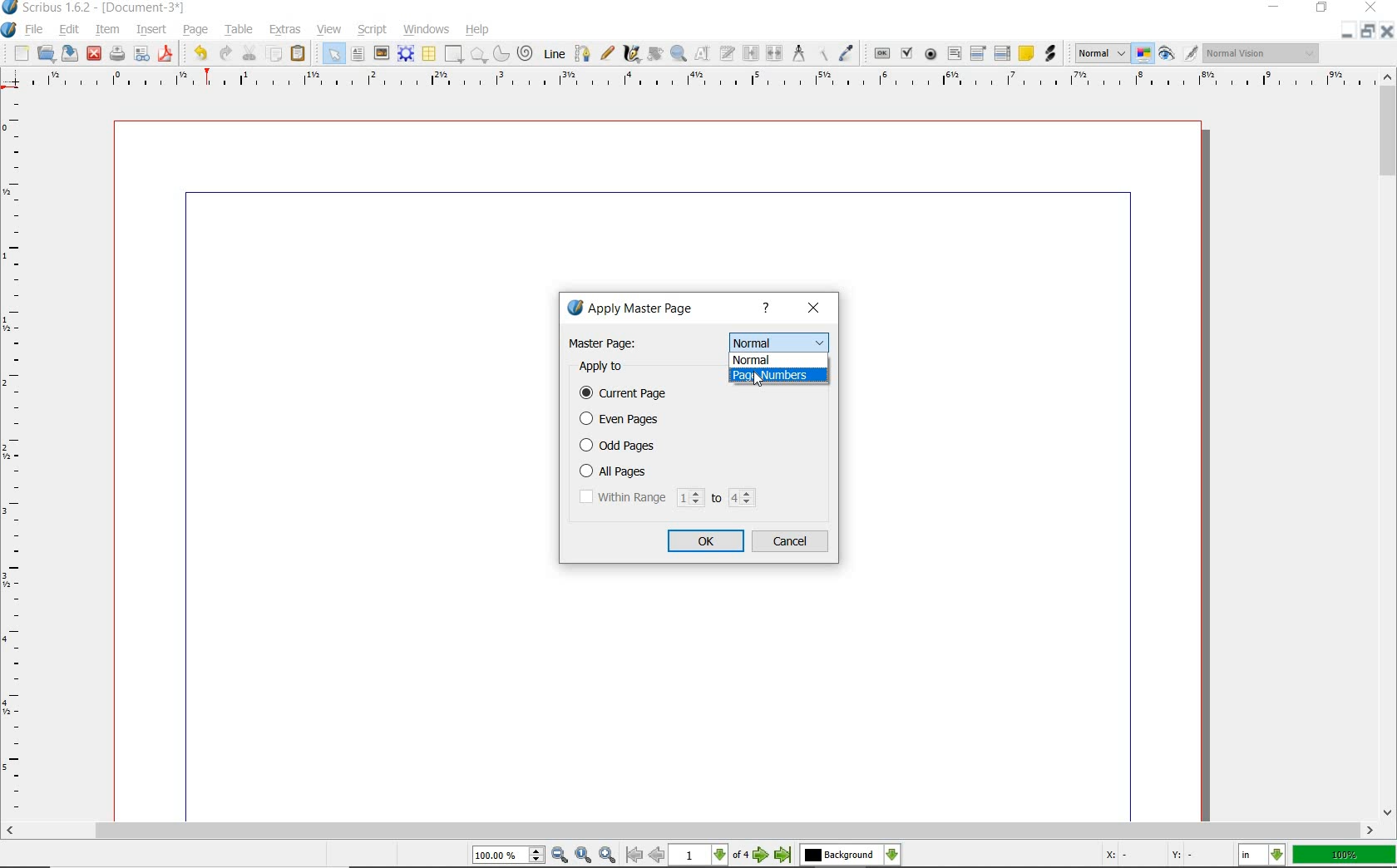  I want to click on Vertical Margin, so click(18, 457).